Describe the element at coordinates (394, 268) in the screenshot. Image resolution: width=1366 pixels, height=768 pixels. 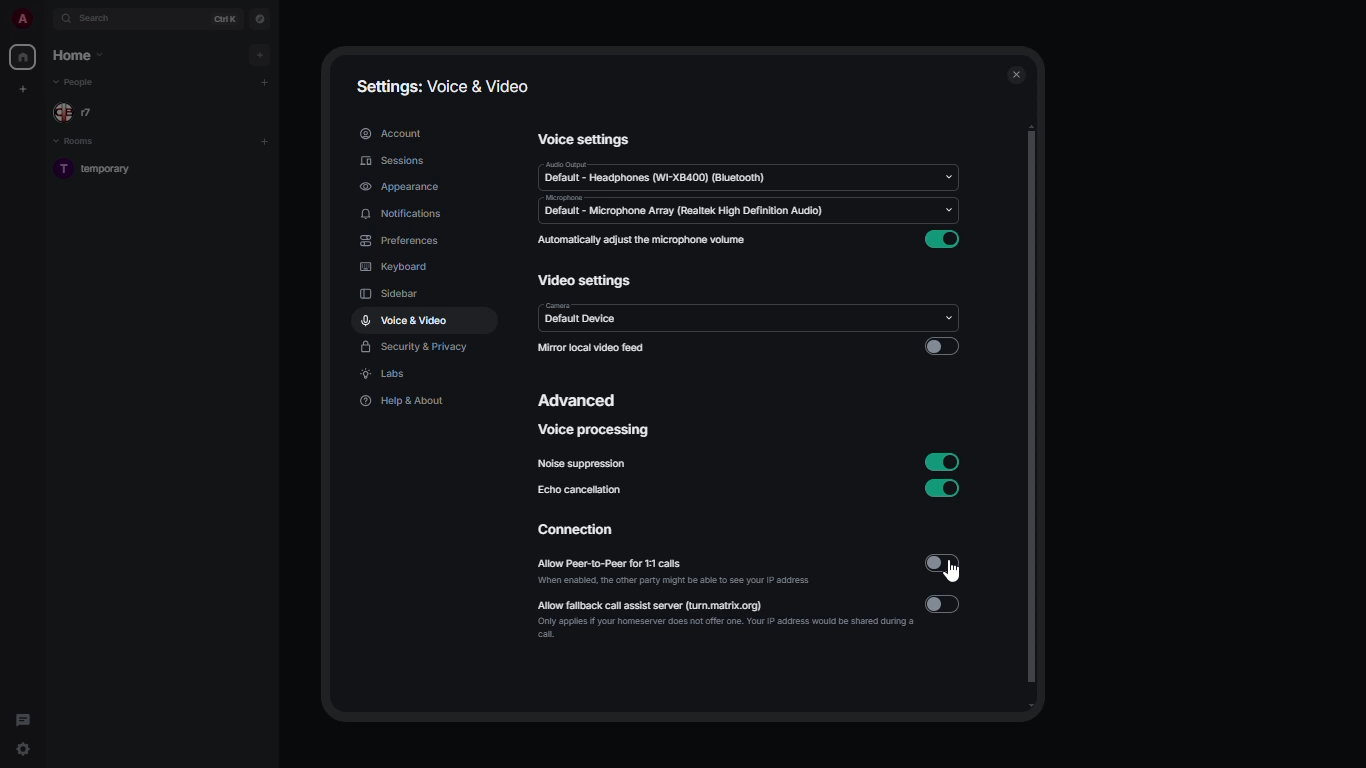
I see `keyboard` at that location.